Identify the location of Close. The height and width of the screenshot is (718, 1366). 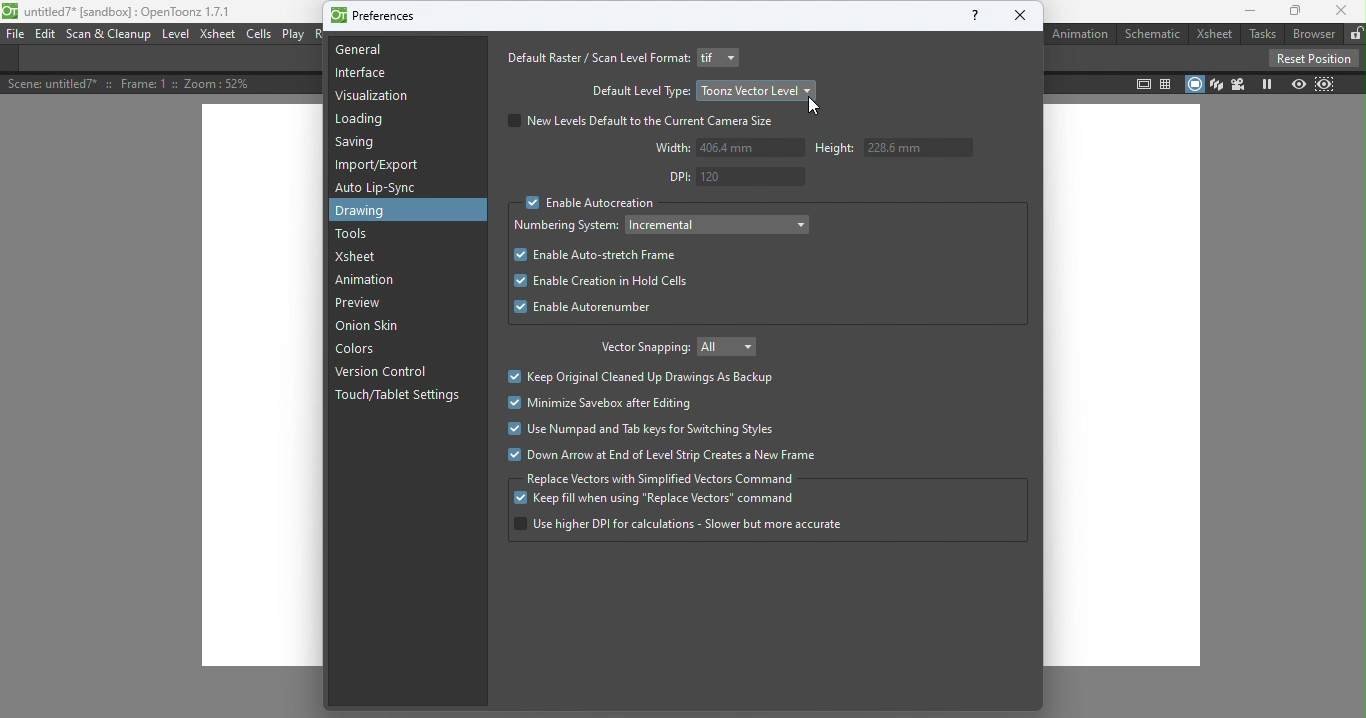
(1025, 15).